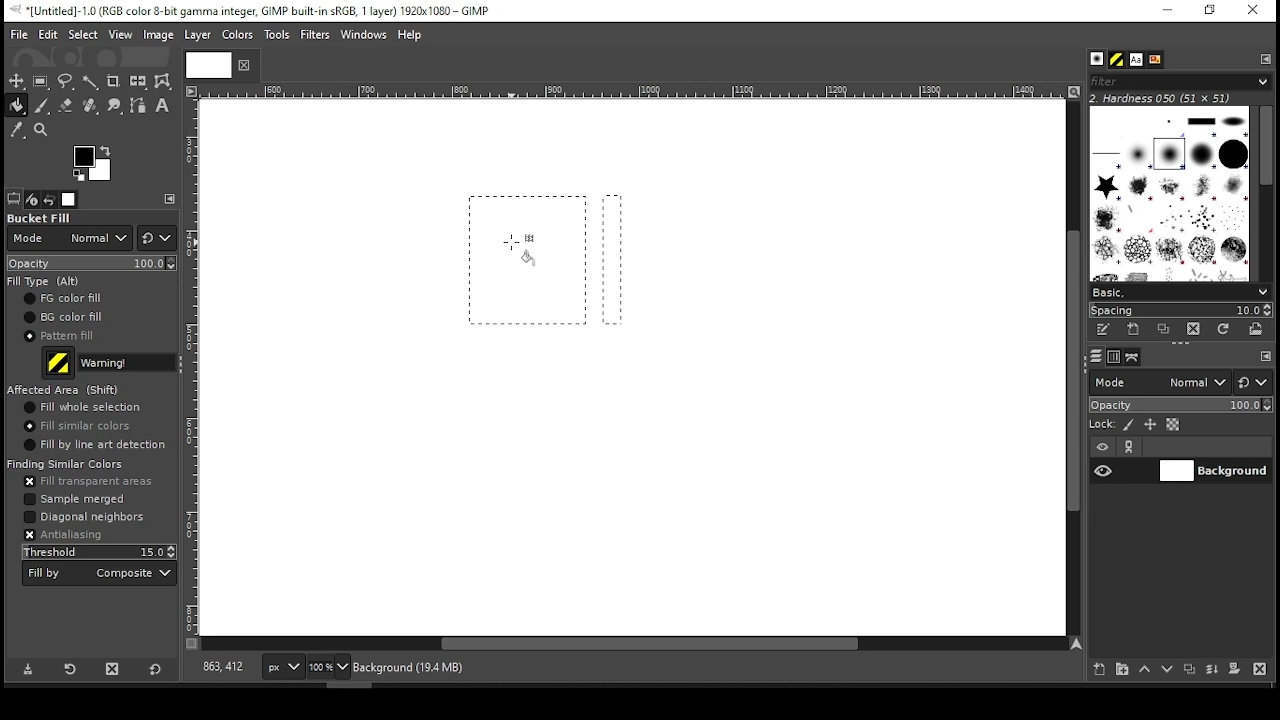 This screenshot has height=720, width=1280. What do you see at coordinates (65, 105) in the screenshot?
I see `eraser tool` at bounding box center [65, 105].